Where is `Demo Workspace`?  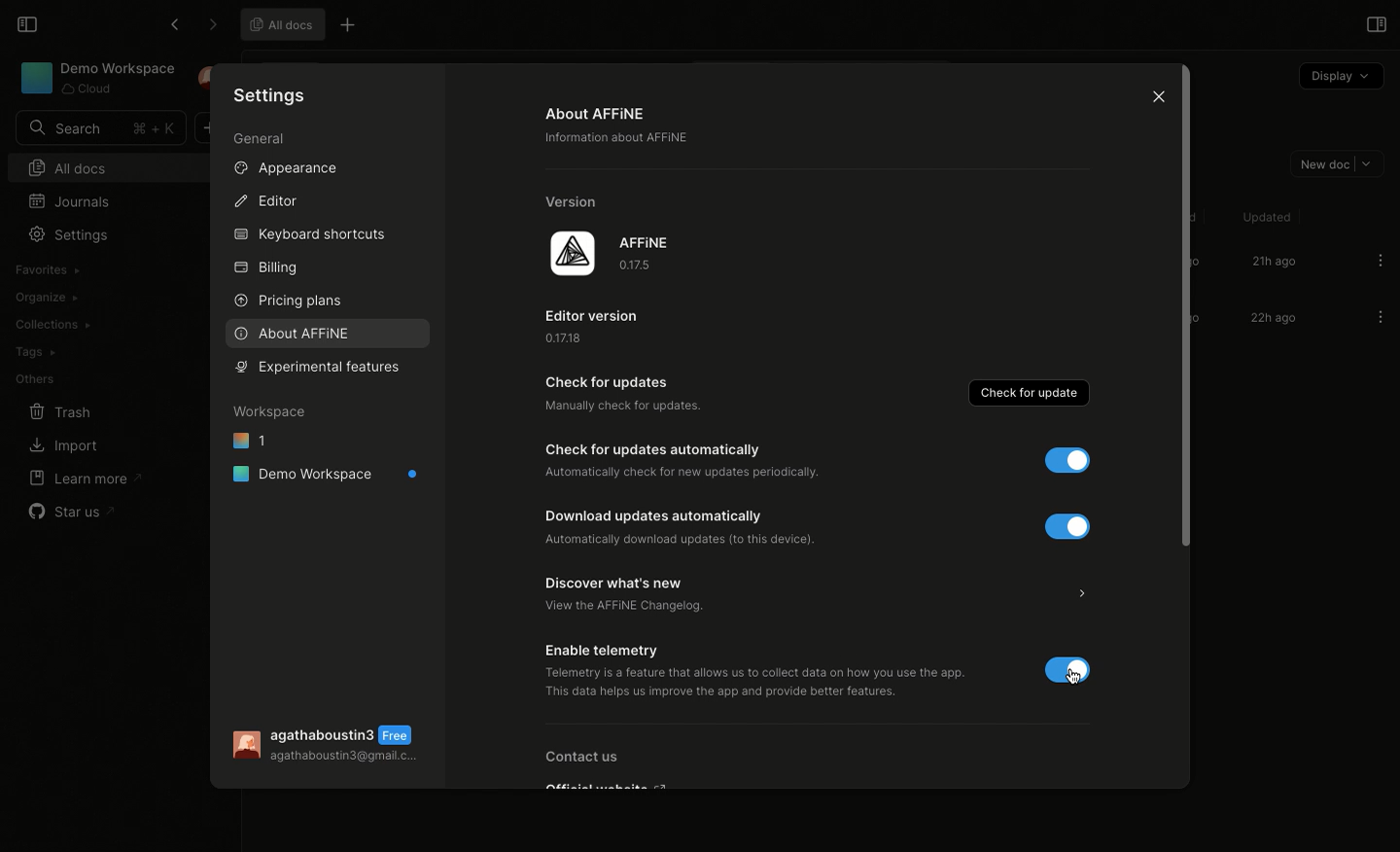 Demo Workspace is located at coordinates (98, 78).